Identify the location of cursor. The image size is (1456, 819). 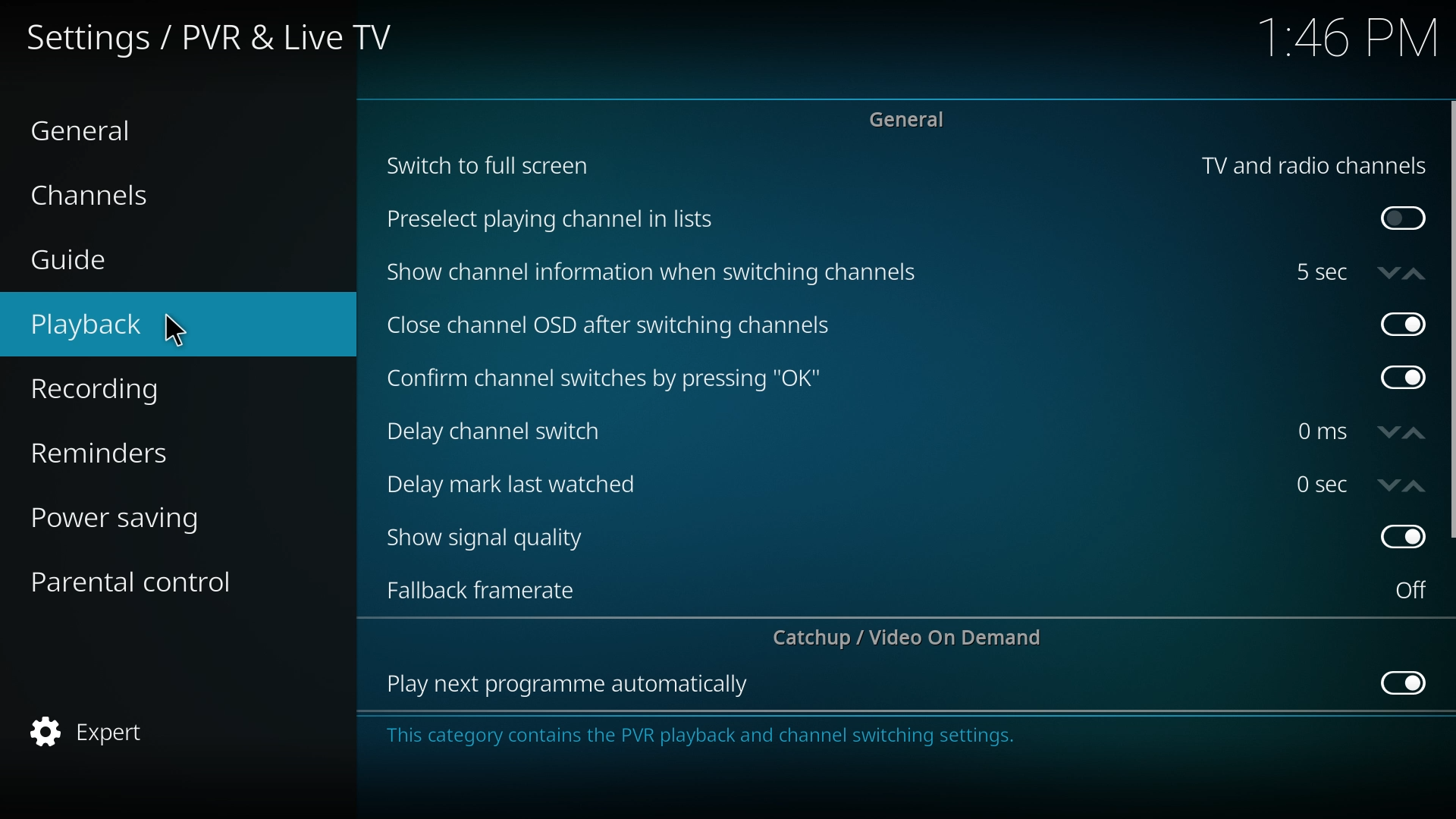
(180, 329).